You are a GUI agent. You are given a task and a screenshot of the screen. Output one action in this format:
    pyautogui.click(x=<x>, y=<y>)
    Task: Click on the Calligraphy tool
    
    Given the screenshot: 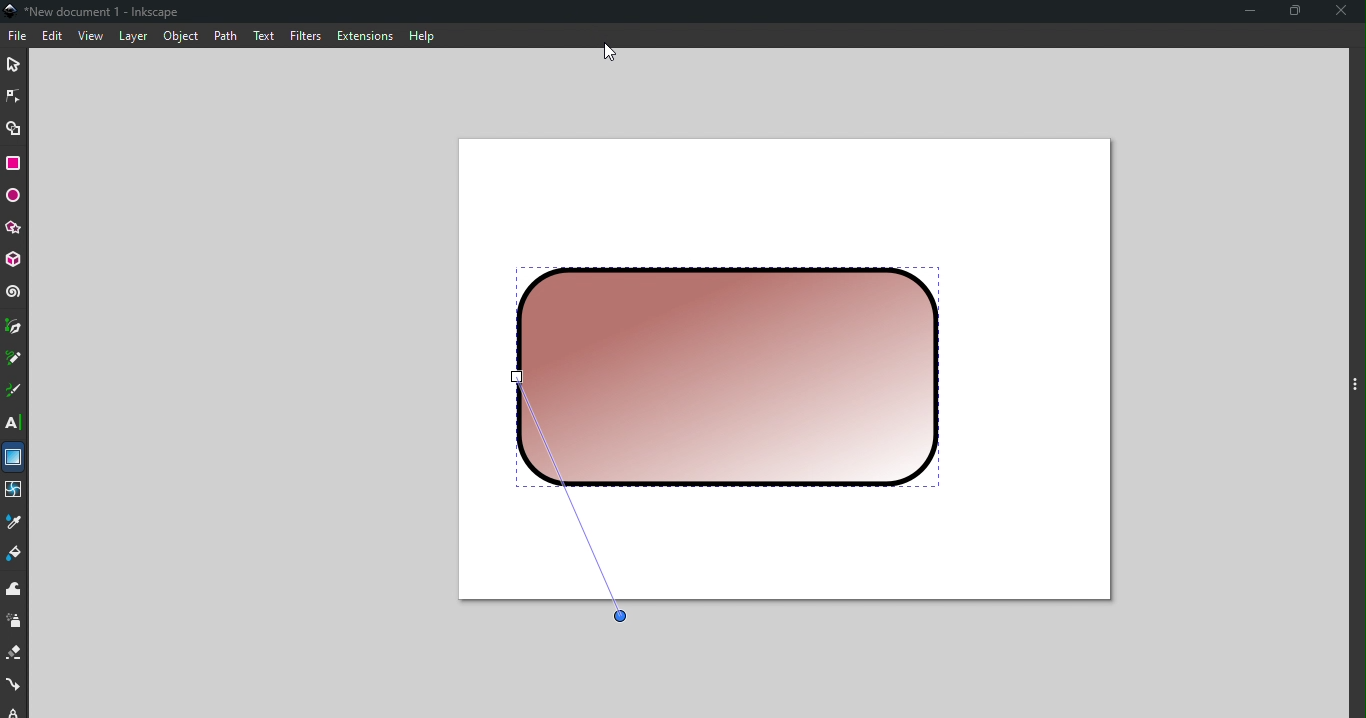 What is the action you would take?
    pyautogui.click(x=13, y=393)
    